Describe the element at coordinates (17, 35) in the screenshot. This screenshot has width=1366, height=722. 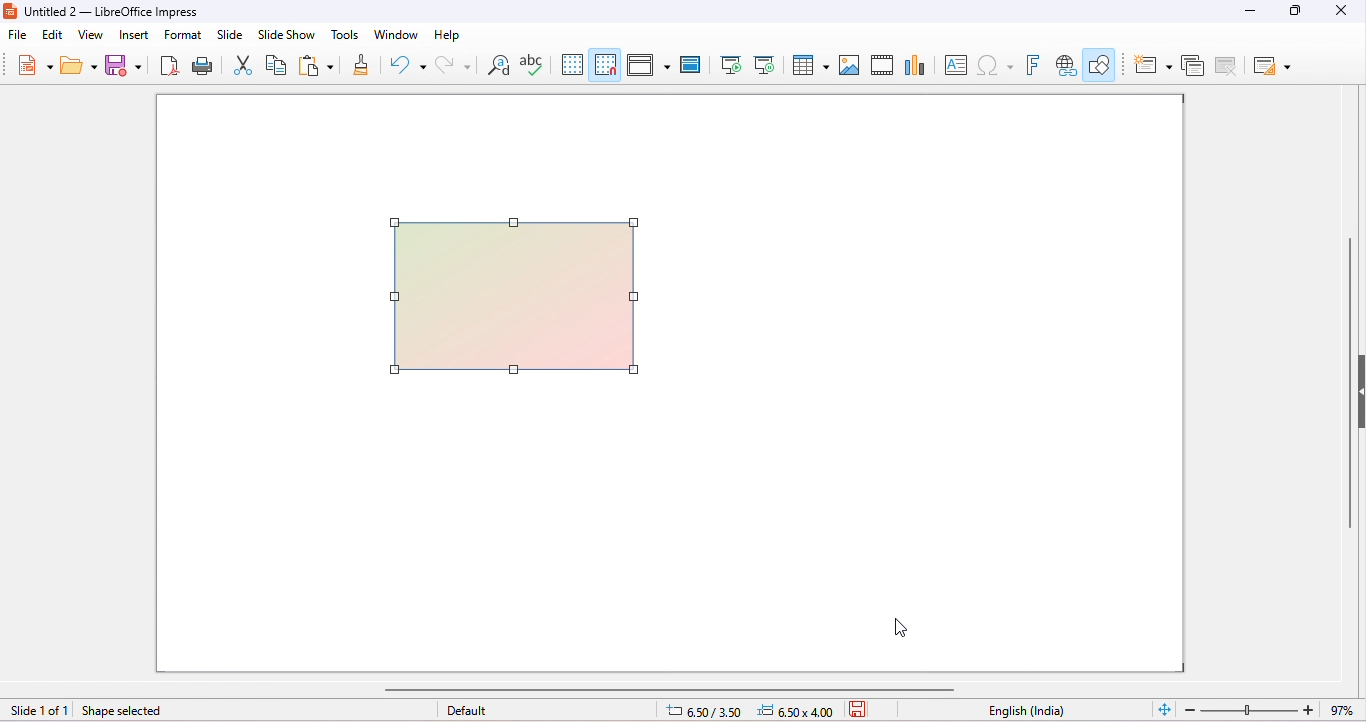
I see `file` at that location.